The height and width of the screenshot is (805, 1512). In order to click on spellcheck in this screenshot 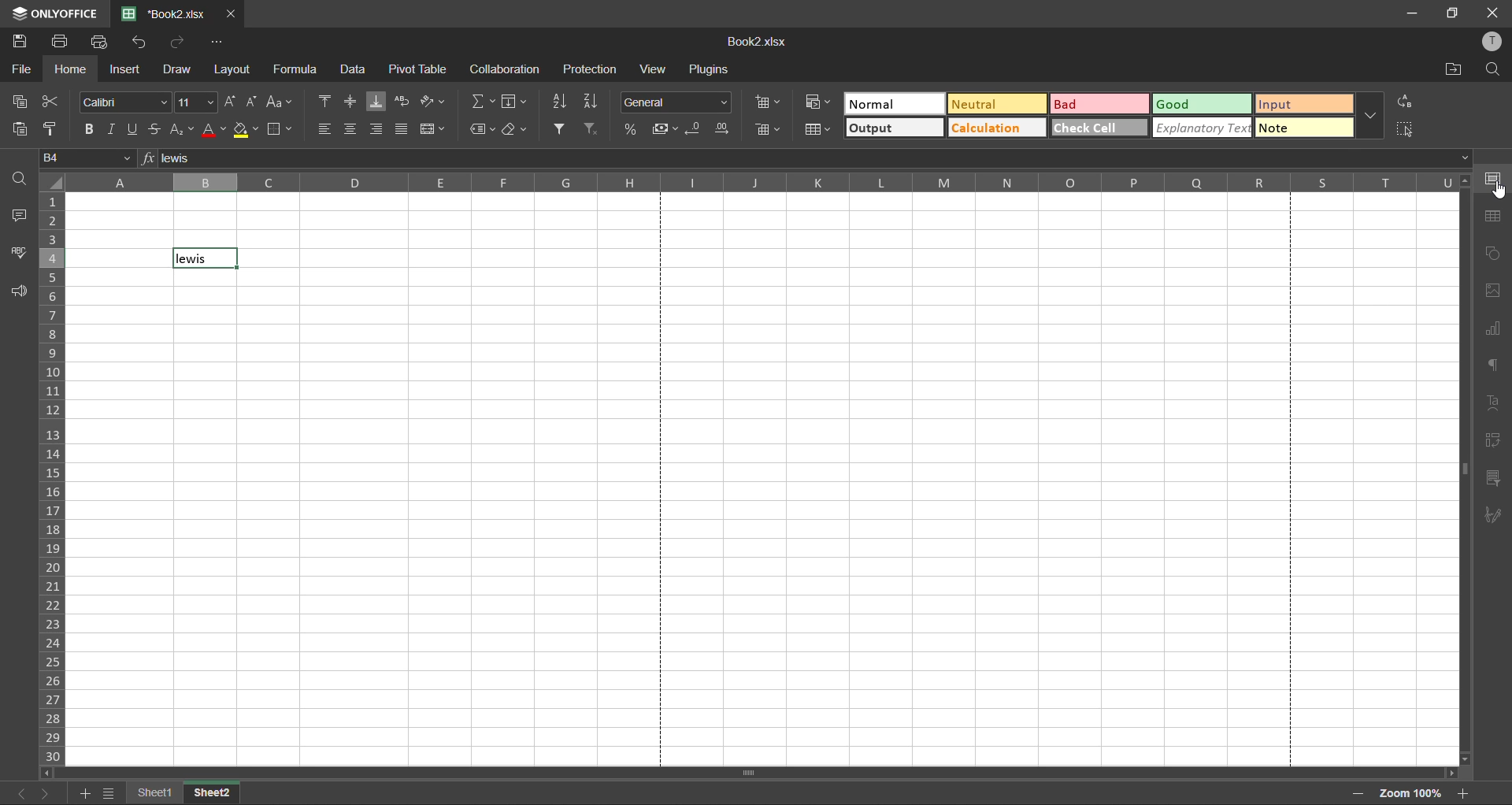, I will do `click(19, 252)`.